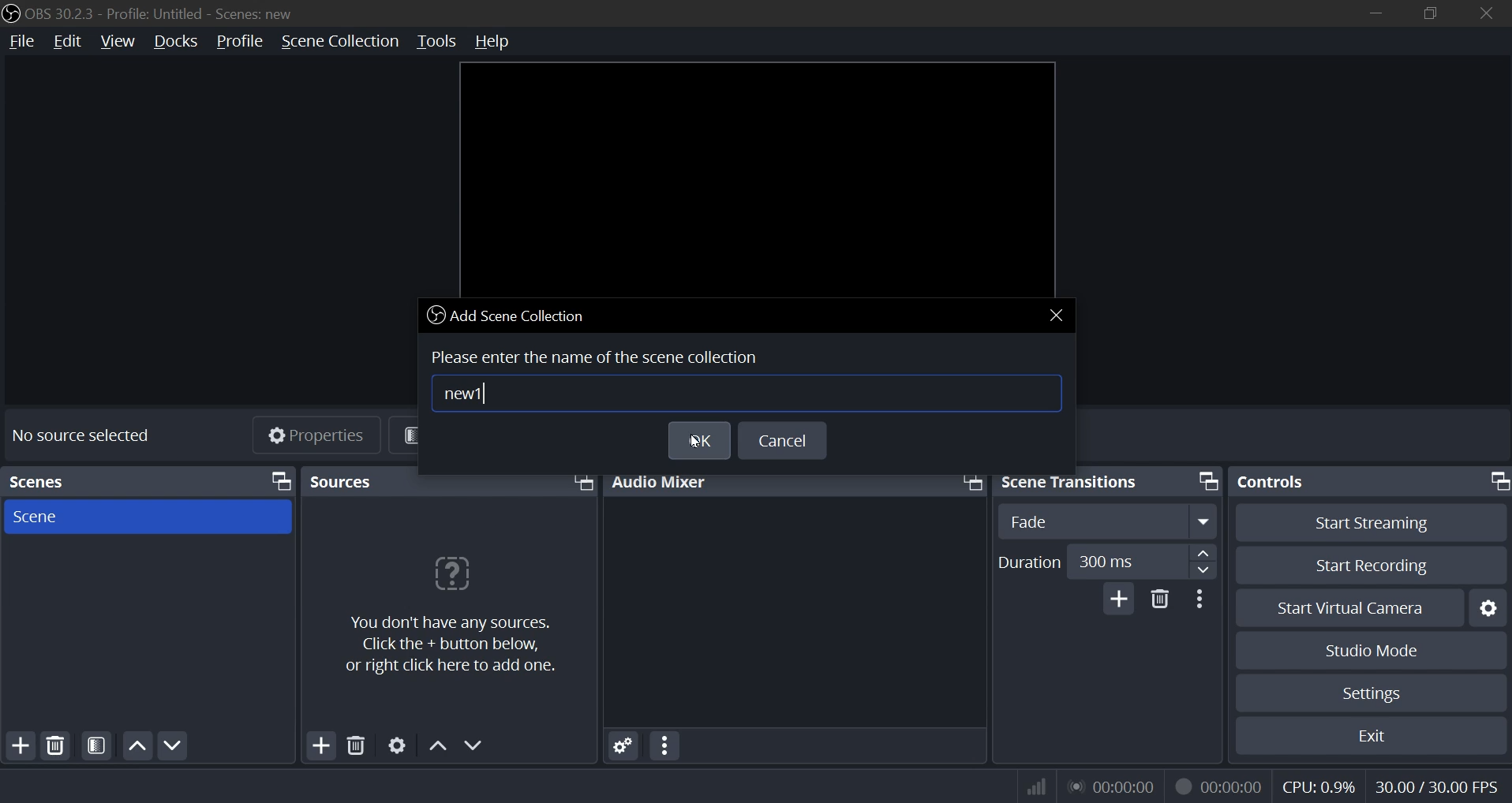 The height and width of the screenshot is (803, 1512). What do you see at coordinates (21, 42) in the screenshot?
I see `file` at bounding box center [21, 42].